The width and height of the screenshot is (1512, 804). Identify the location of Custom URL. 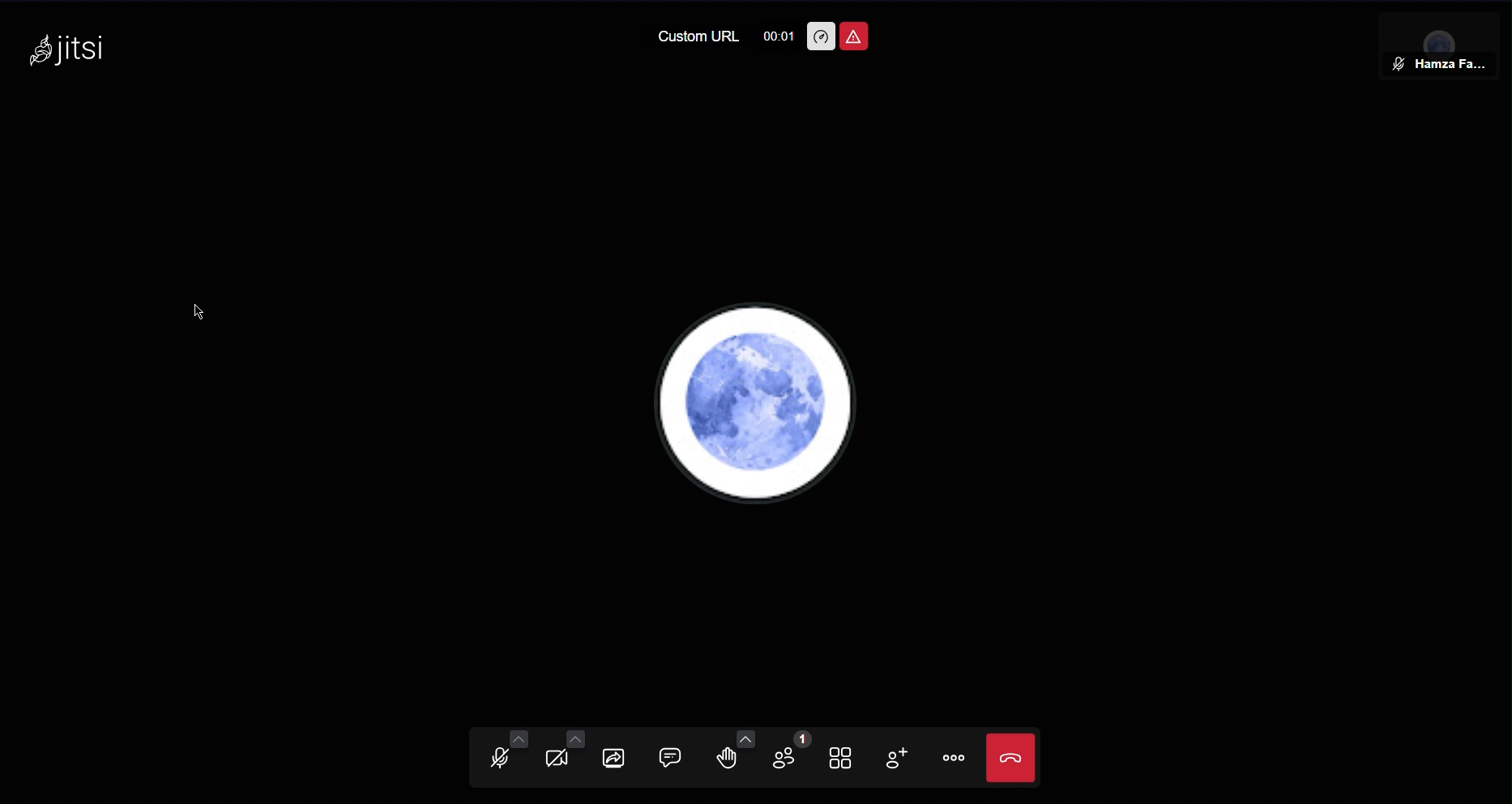
(694, 36).